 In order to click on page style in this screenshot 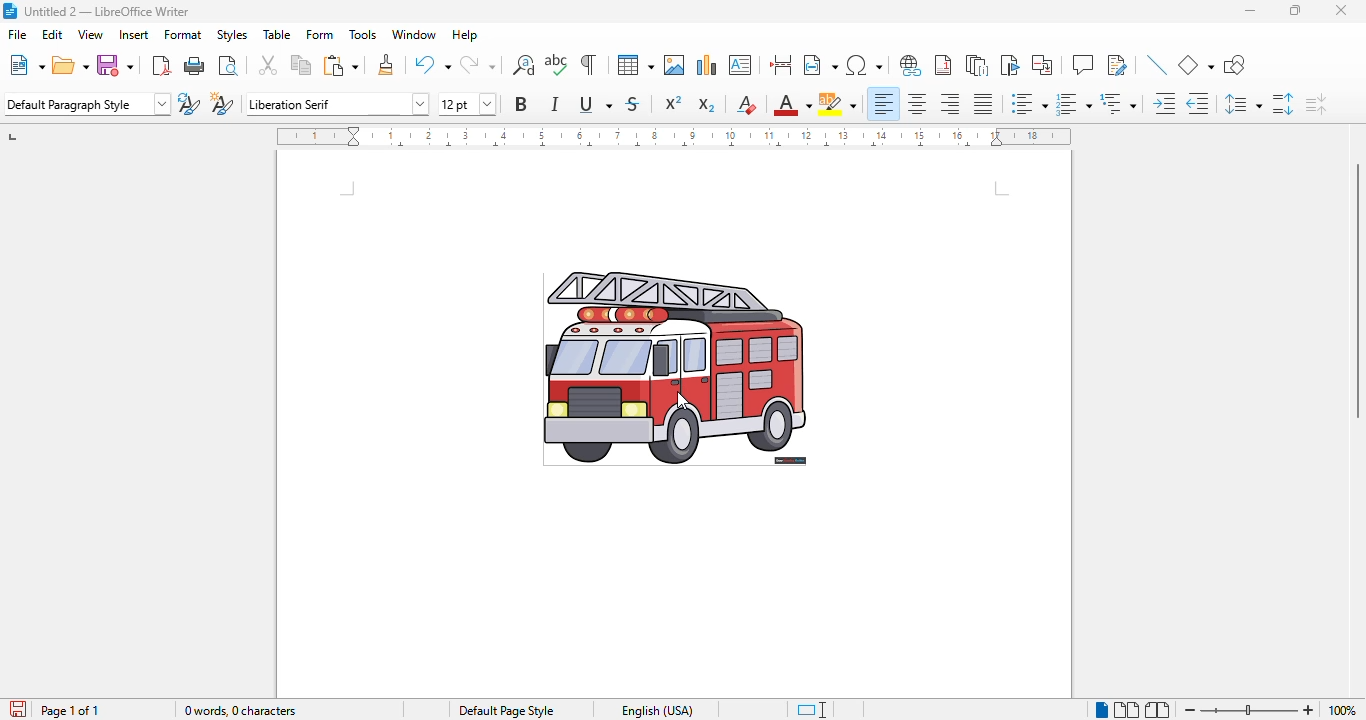, I will do `click(506, 711)`.